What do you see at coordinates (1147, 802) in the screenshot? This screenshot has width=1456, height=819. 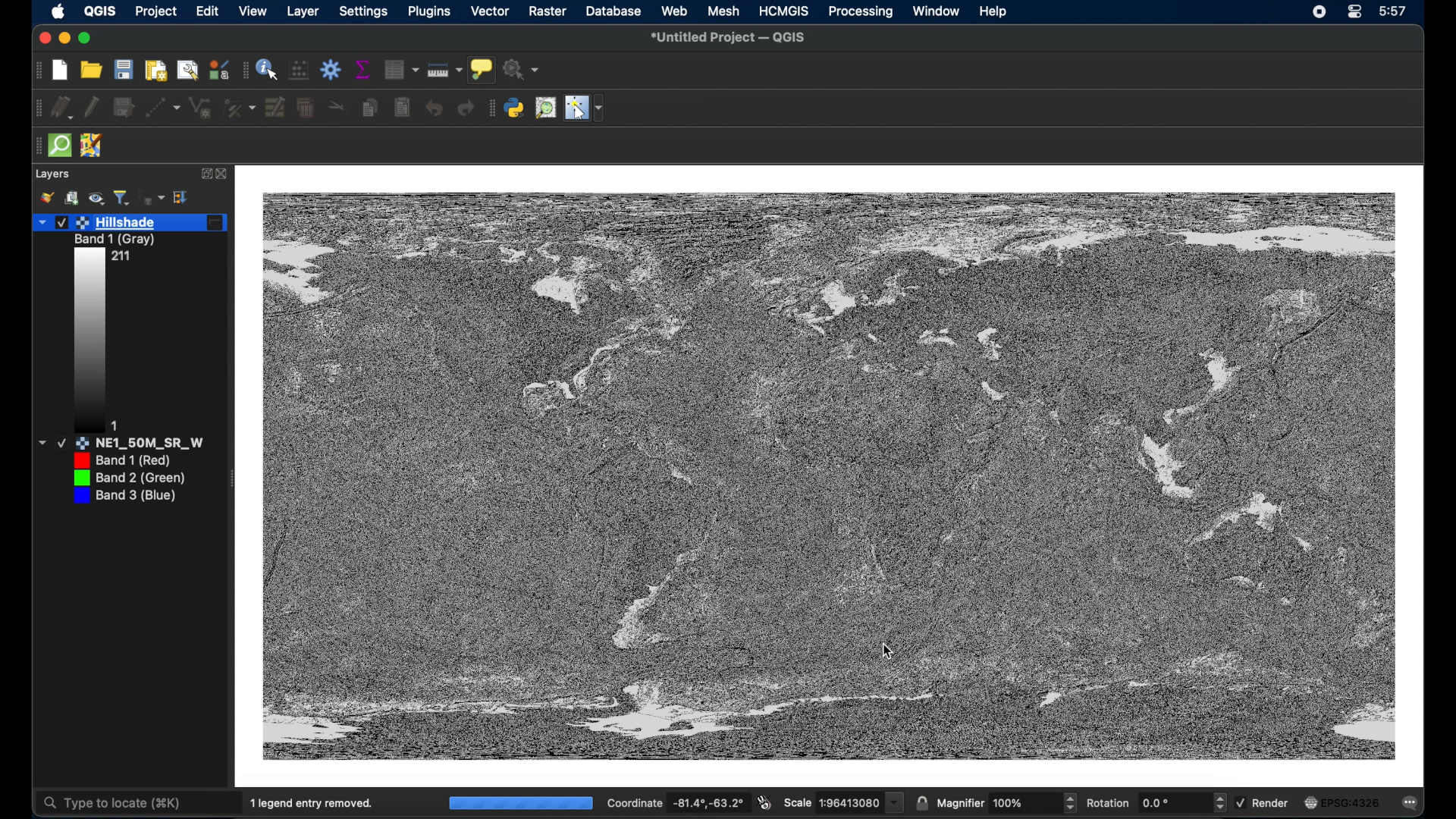 I see `rotation` at bounding box center [1147, 802].